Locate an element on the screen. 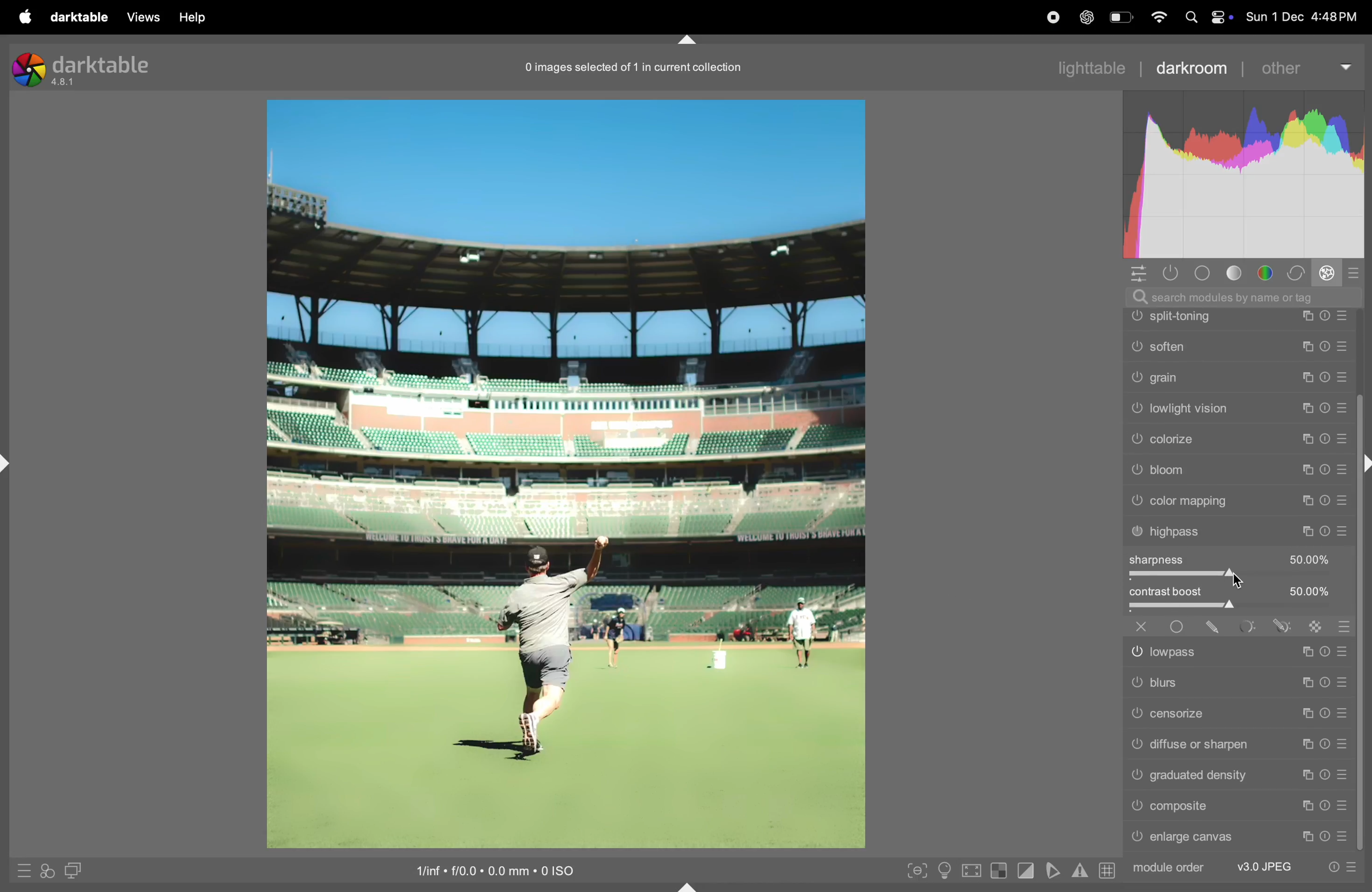 This screenshot has height=892, width=1372. presets is located at coordinates (1352, 275).